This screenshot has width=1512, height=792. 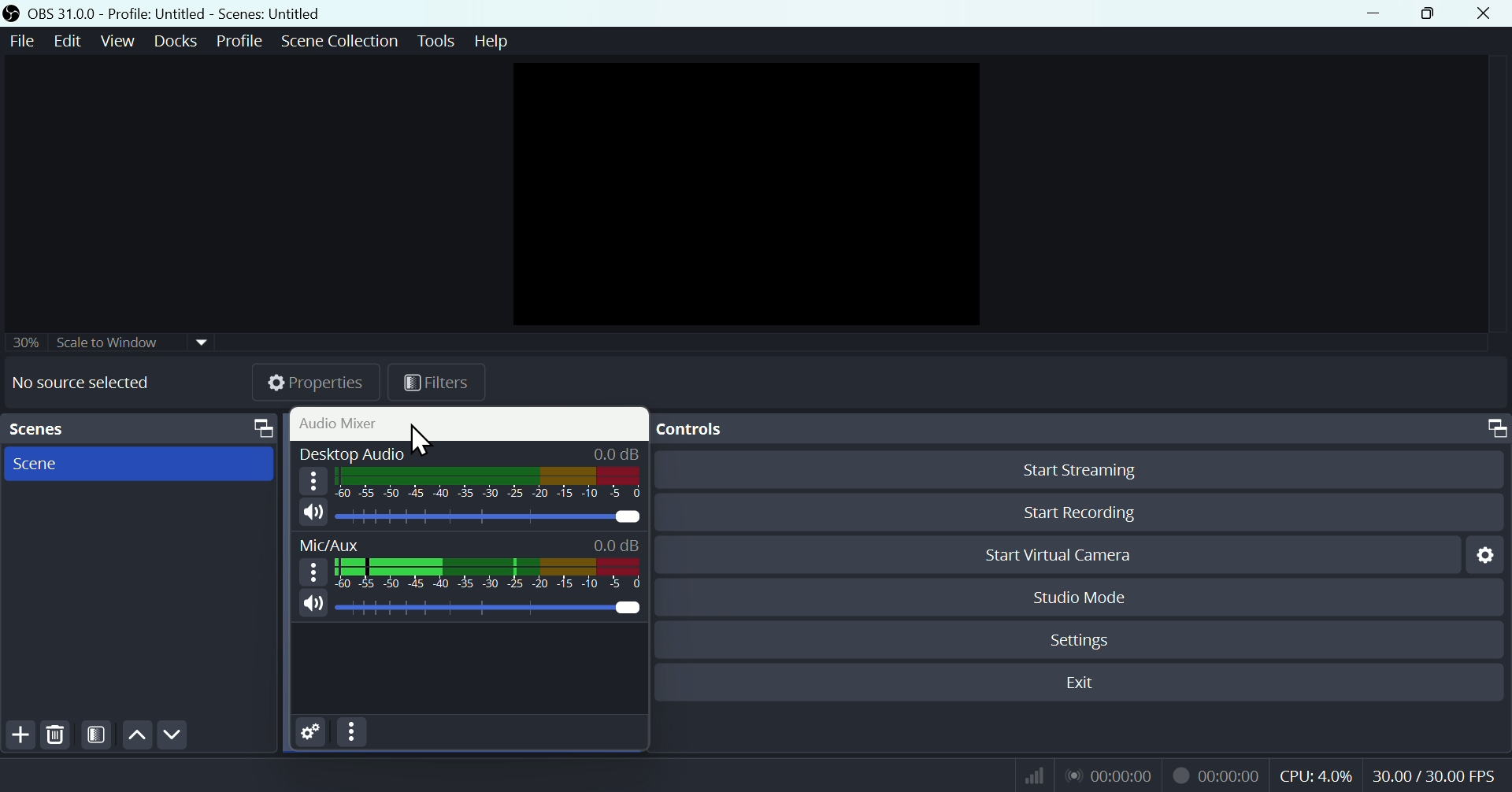 What do you see at coordinates (117, 39) in the screenshot?
I see `View` at bounding box center [117, 39].